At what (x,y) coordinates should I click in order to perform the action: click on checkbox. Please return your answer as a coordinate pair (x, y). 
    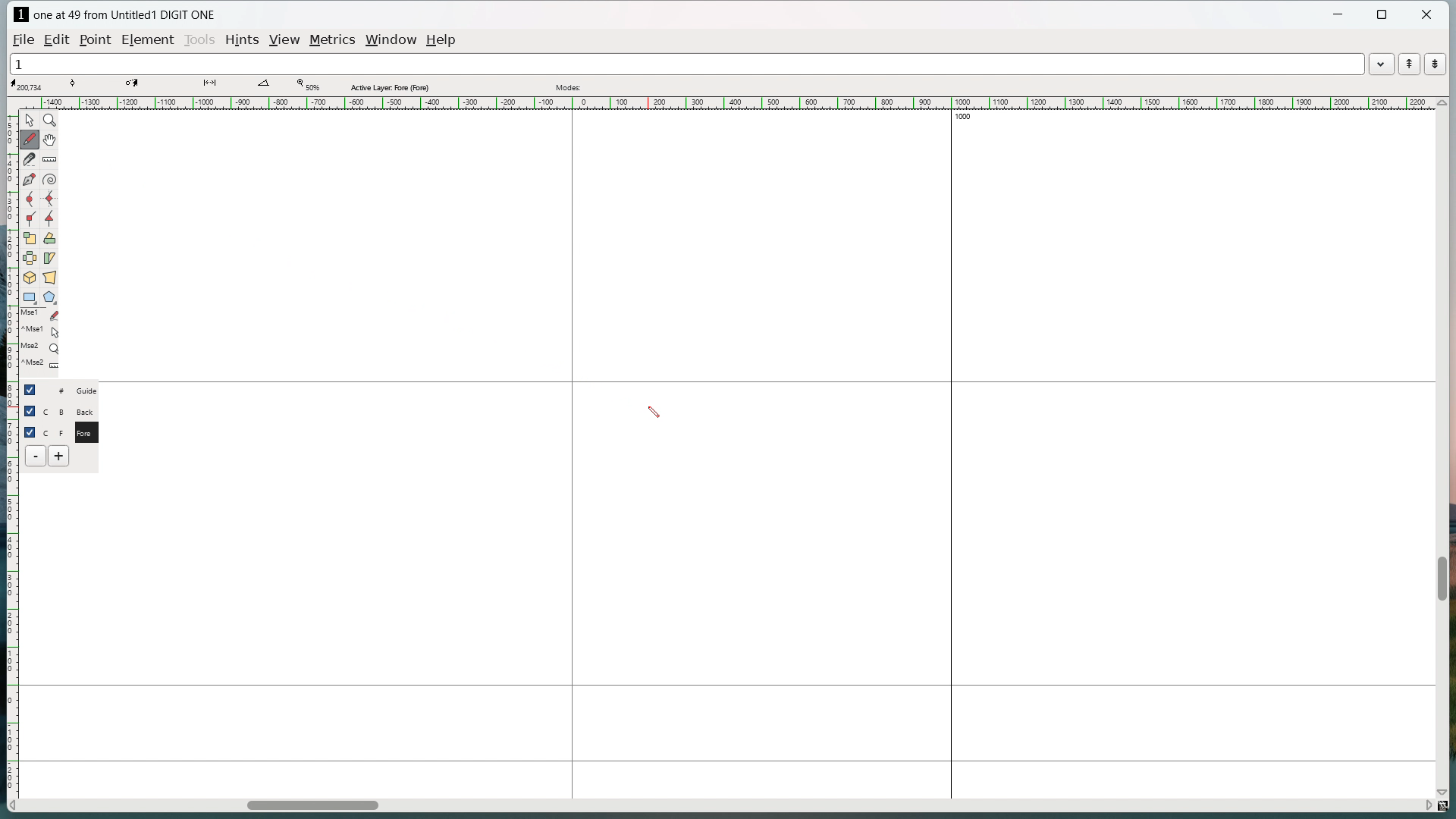
    Looking at the image, I should click on (33, 389).